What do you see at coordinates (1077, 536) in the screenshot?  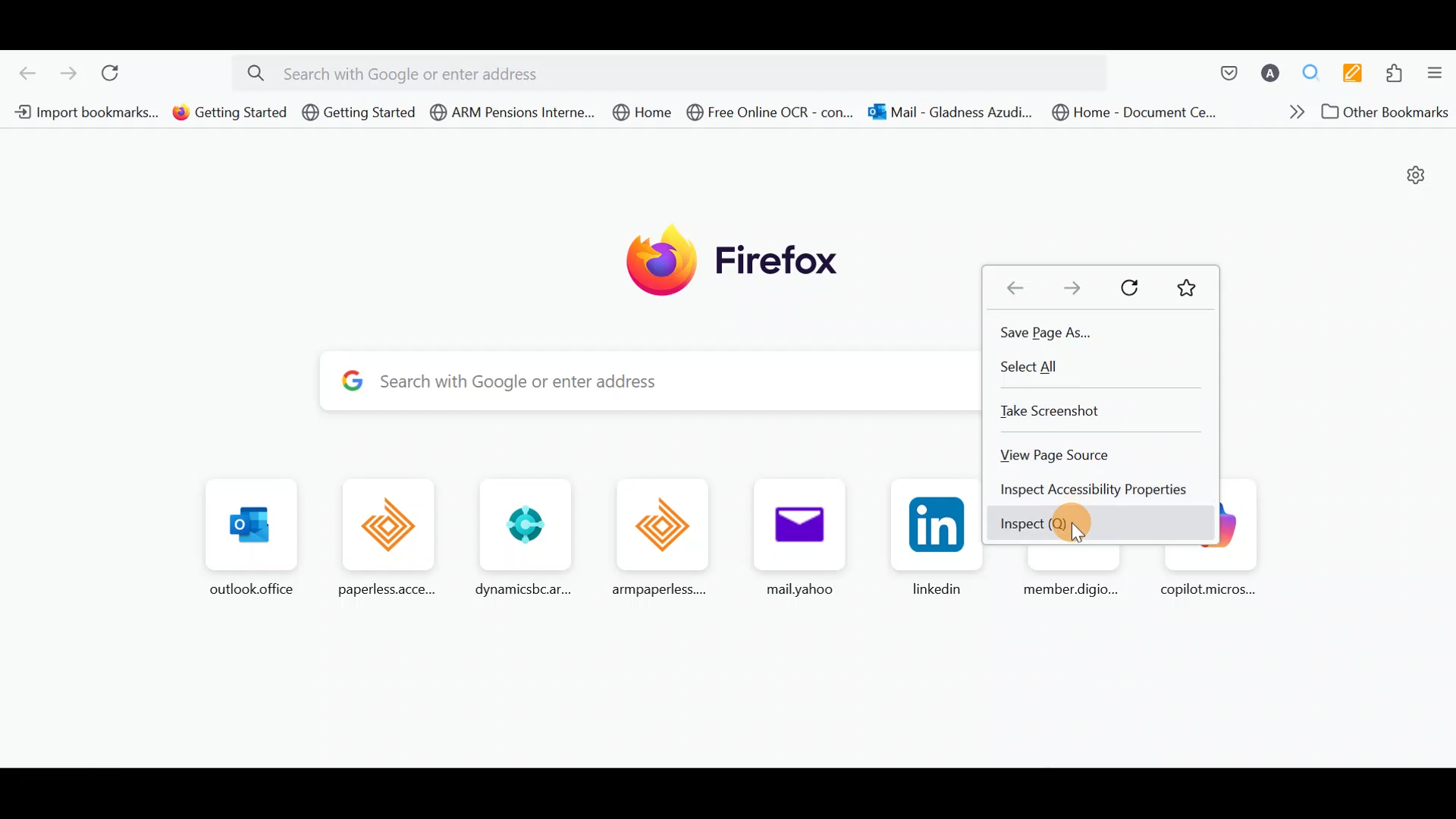 I see `cursor` at bounding box center [1077, 536].